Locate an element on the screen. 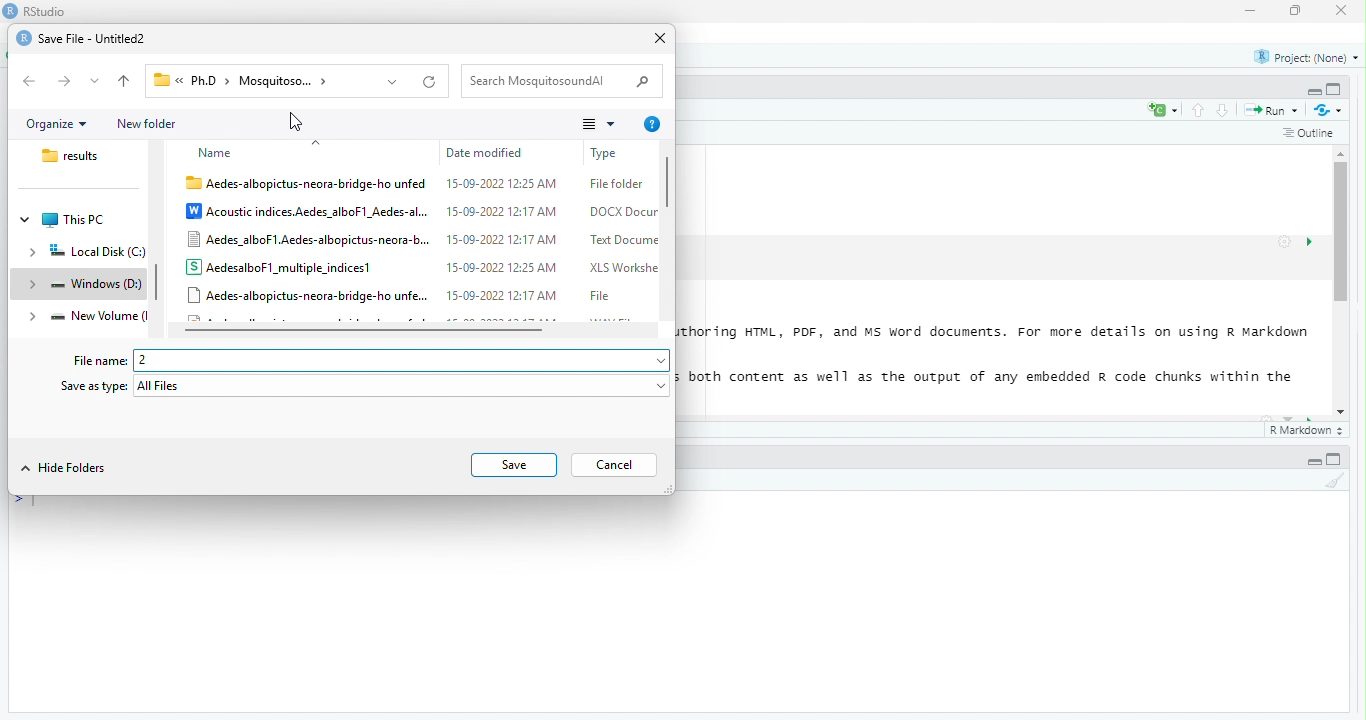 Image resolution: width=1366 pixels, height=720 pixels. C+ is located at coordinates (1164, 110).